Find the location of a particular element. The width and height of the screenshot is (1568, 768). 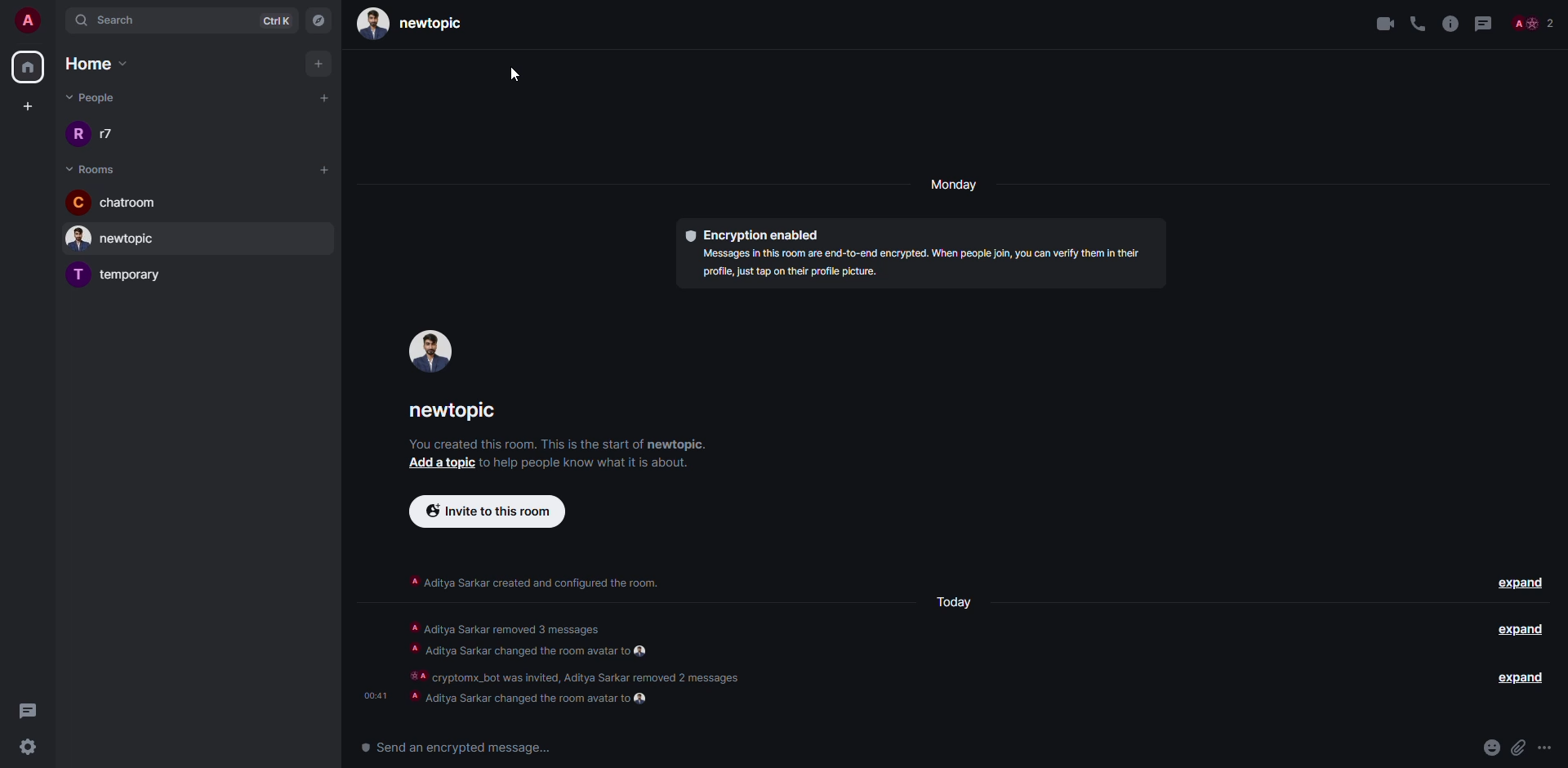

encryption enabled is located at coordinates (757, 235).